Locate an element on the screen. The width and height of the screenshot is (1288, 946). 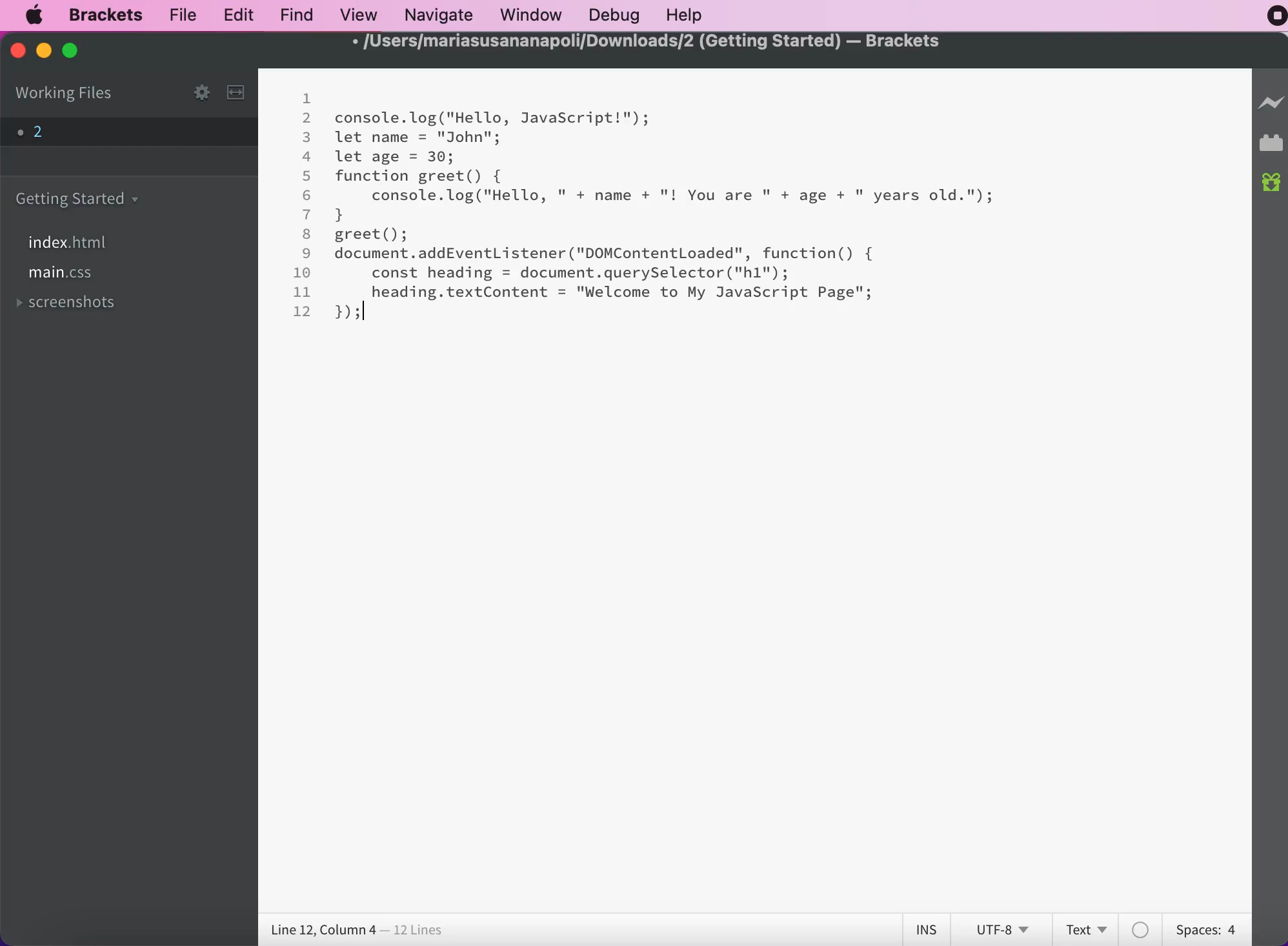
spaces: 4 is located at coordinates (1204, 930).